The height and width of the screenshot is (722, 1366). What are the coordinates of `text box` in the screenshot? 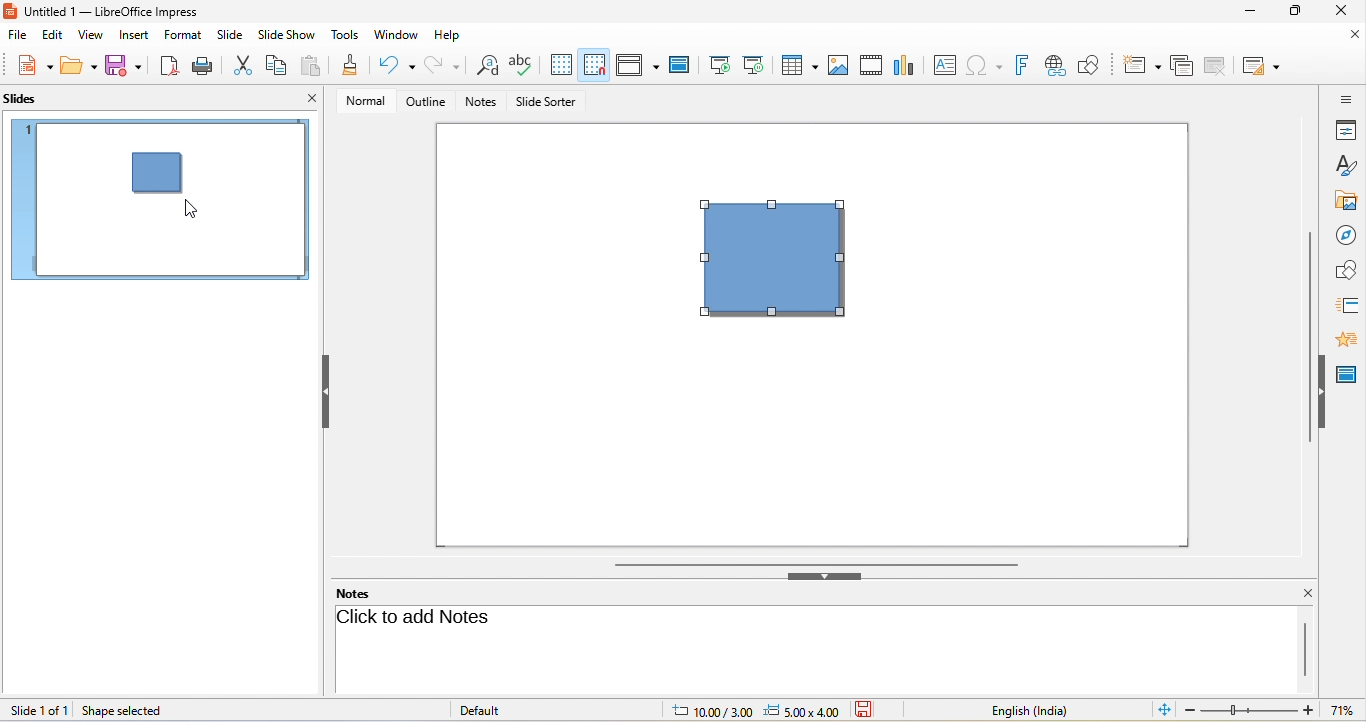 It's located at (944, 64).